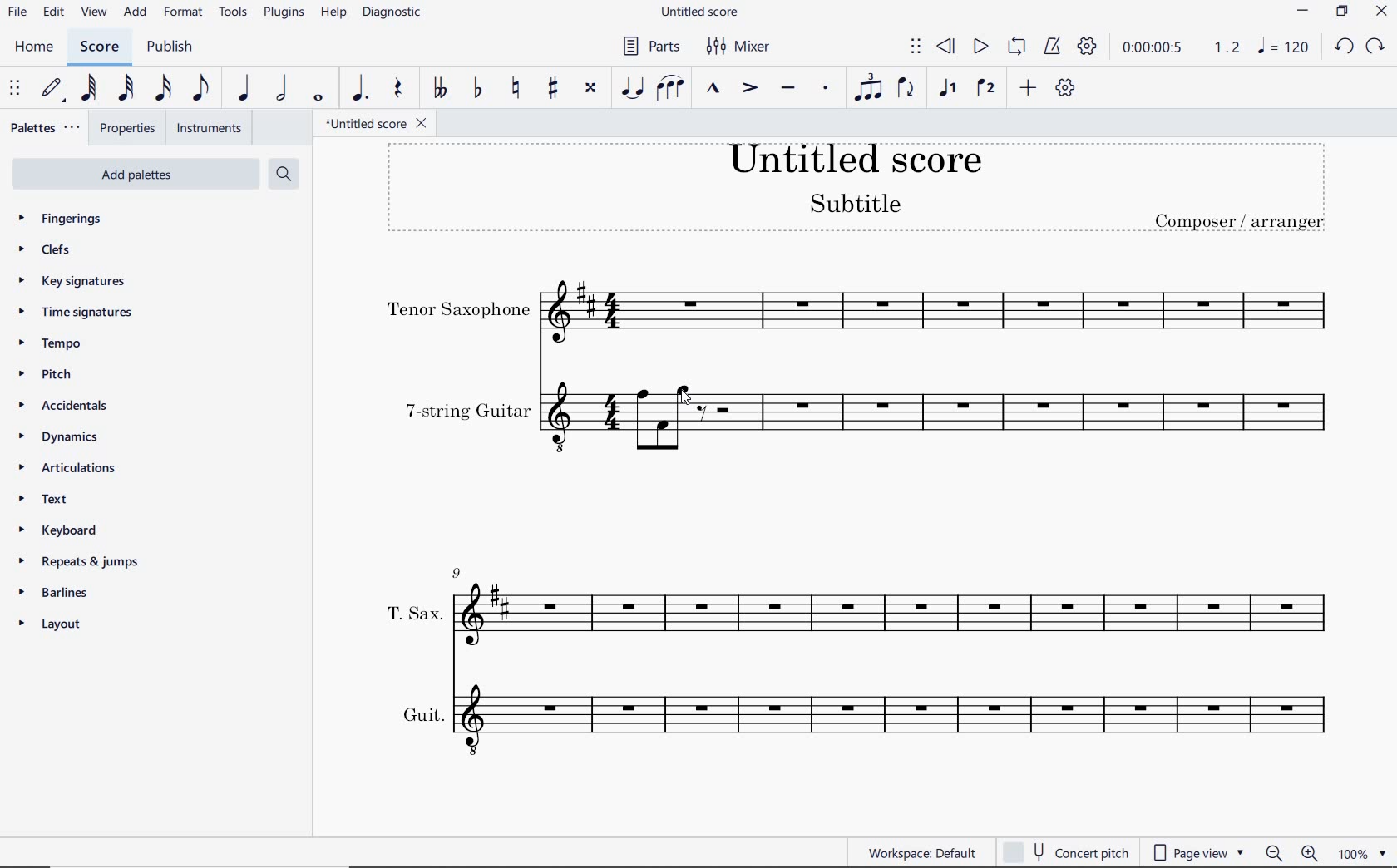  What do you see at coordinates (360, 89) in the screenshot?
I see `AUGMENTATION DOT` at bounding box center [360, 89].